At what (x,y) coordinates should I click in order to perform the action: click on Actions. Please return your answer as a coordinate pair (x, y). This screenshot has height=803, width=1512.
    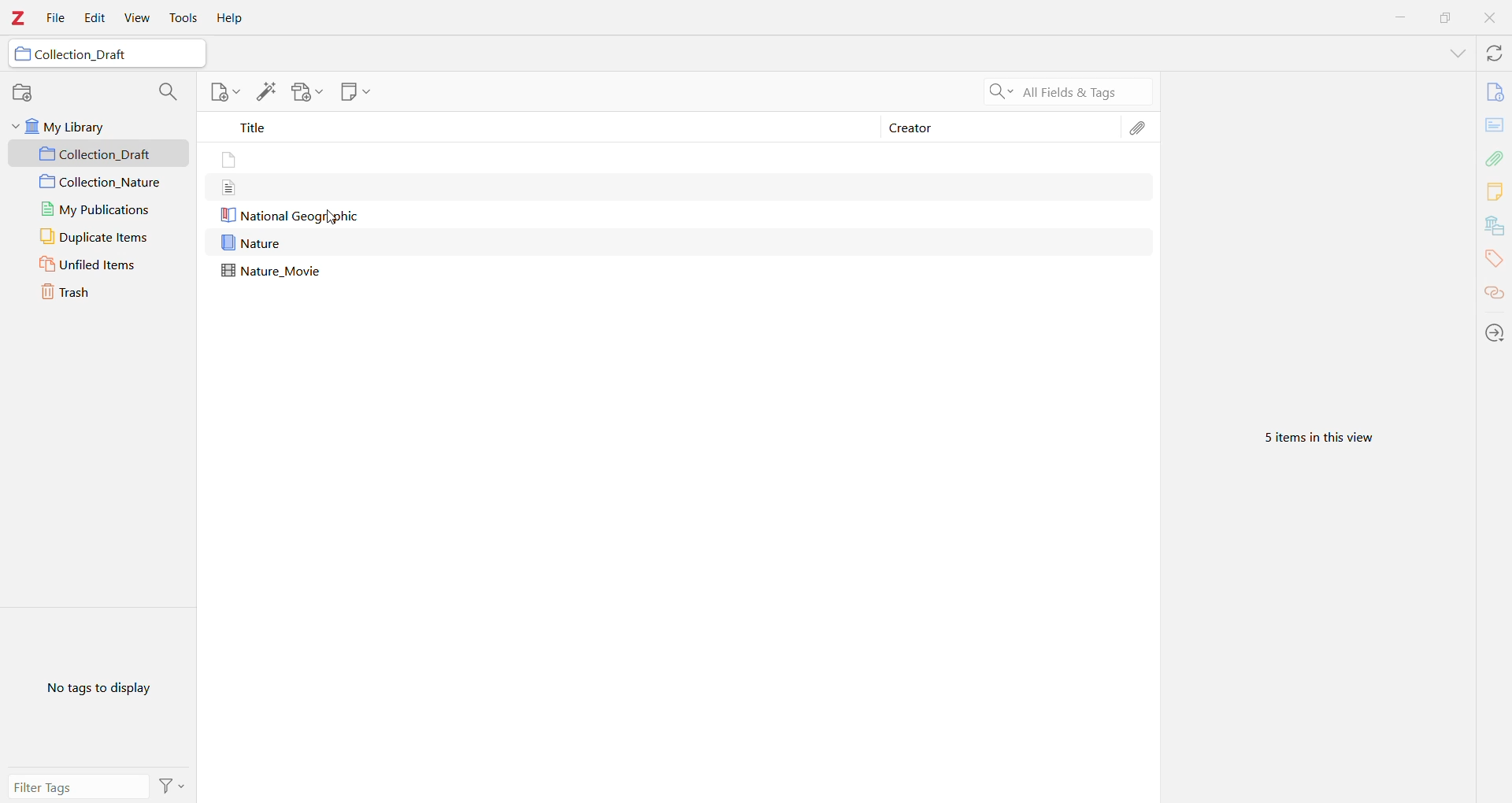
    Looking at the image, I should click on (172, 785).